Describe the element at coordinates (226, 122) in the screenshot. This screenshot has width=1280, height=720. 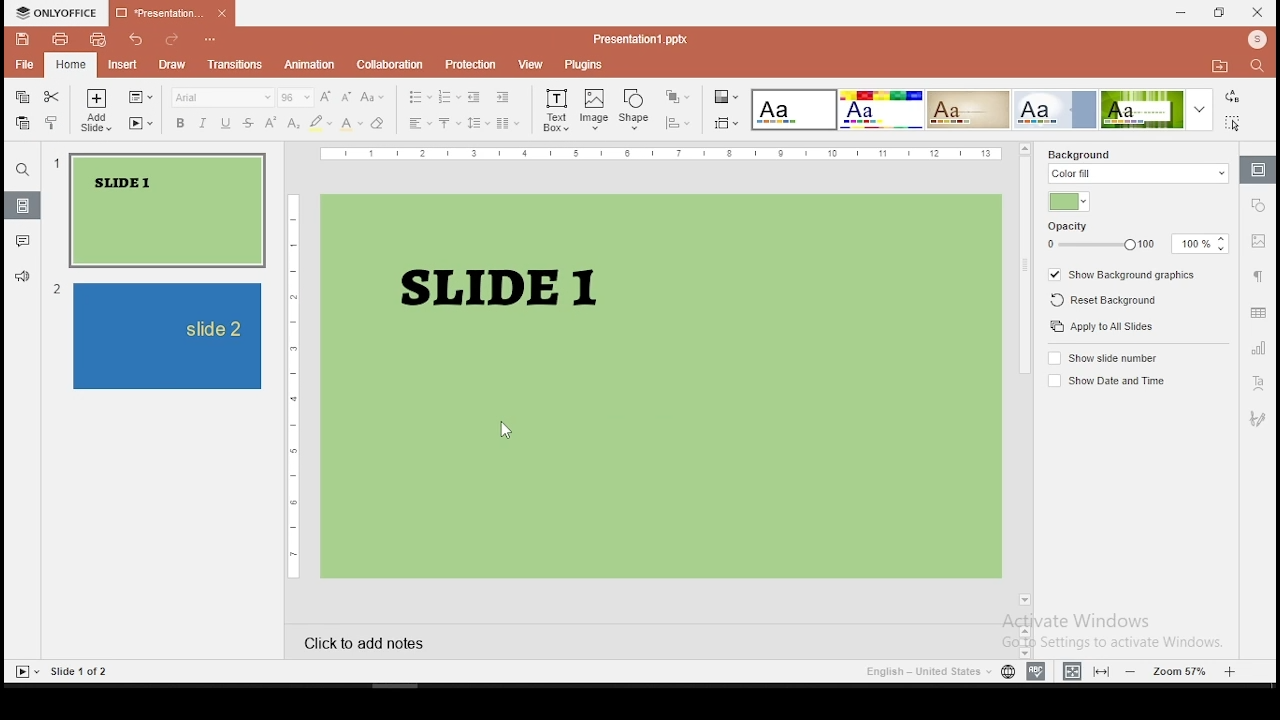
I see `underline` at that location.